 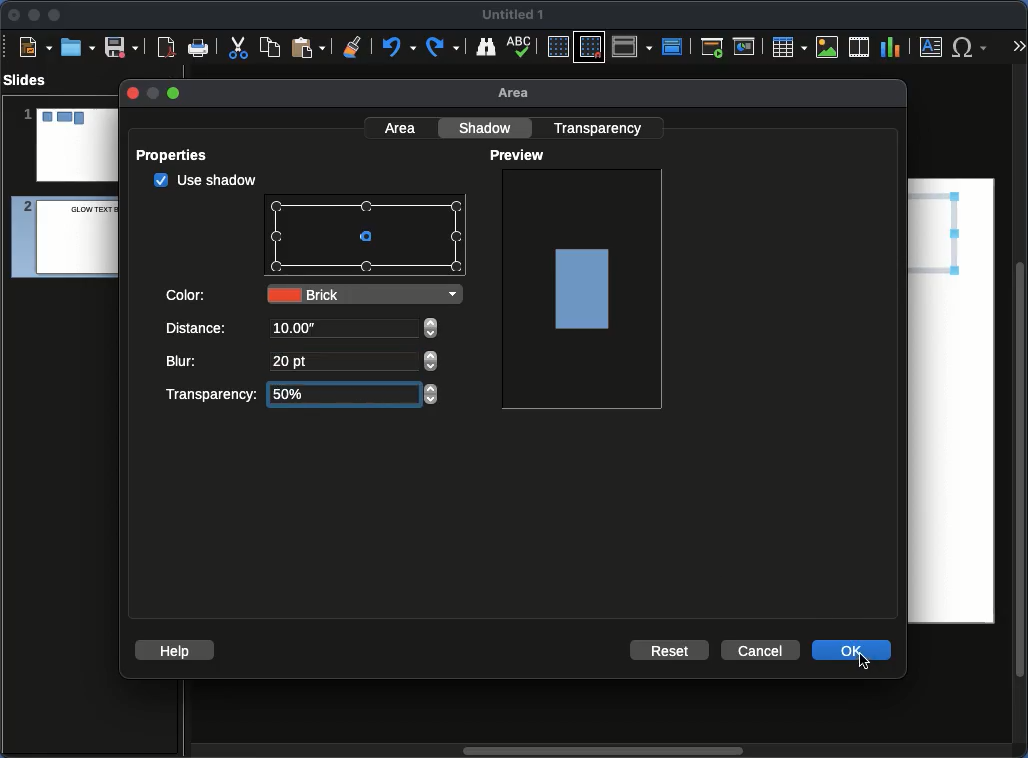 I want to click on Points, so click(x=367, y=238).